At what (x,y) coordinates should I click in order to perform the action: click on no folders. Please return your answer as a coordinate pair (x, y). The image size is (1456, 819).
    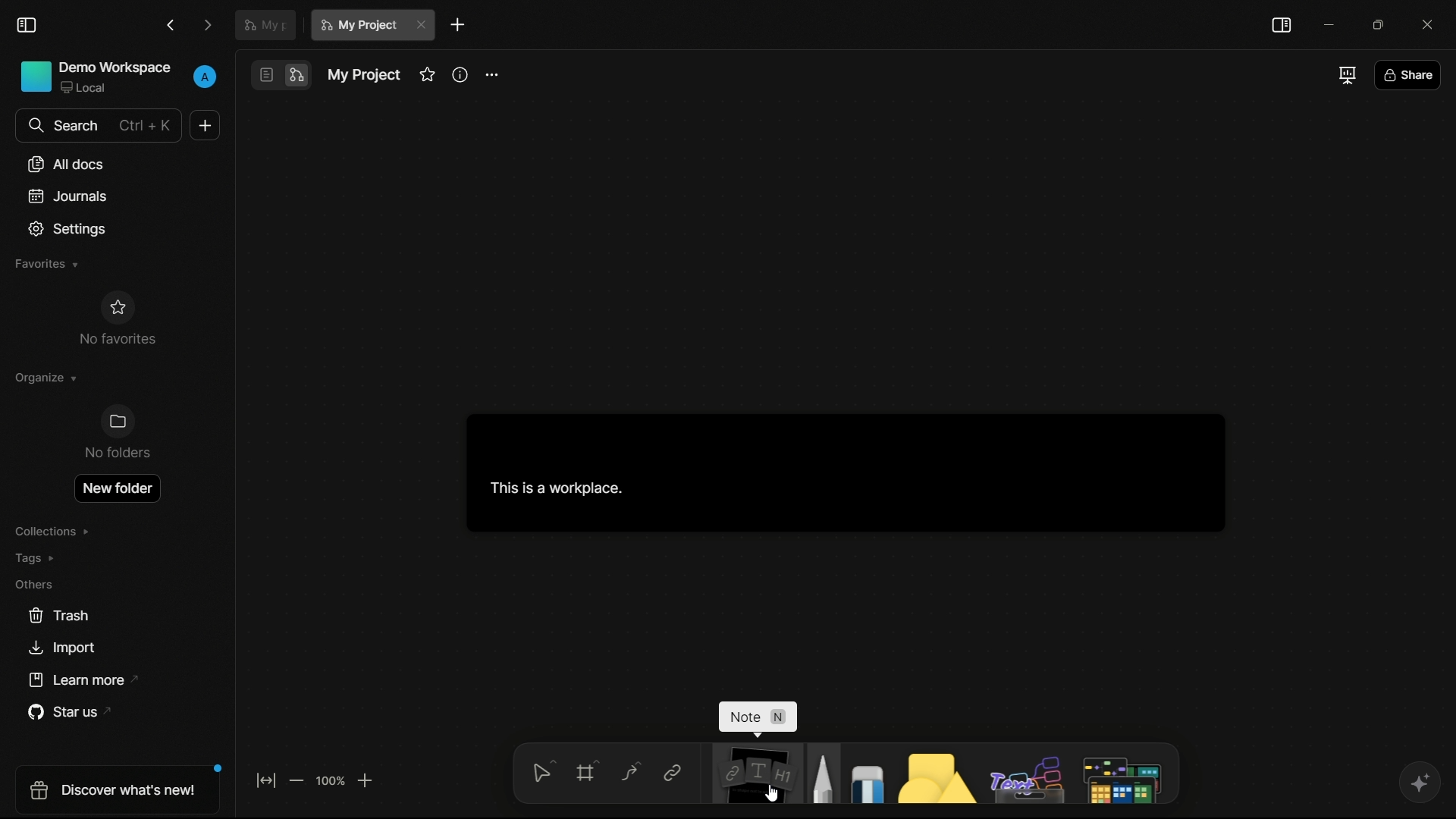
    Looking at the image, I should click on (118, 433).